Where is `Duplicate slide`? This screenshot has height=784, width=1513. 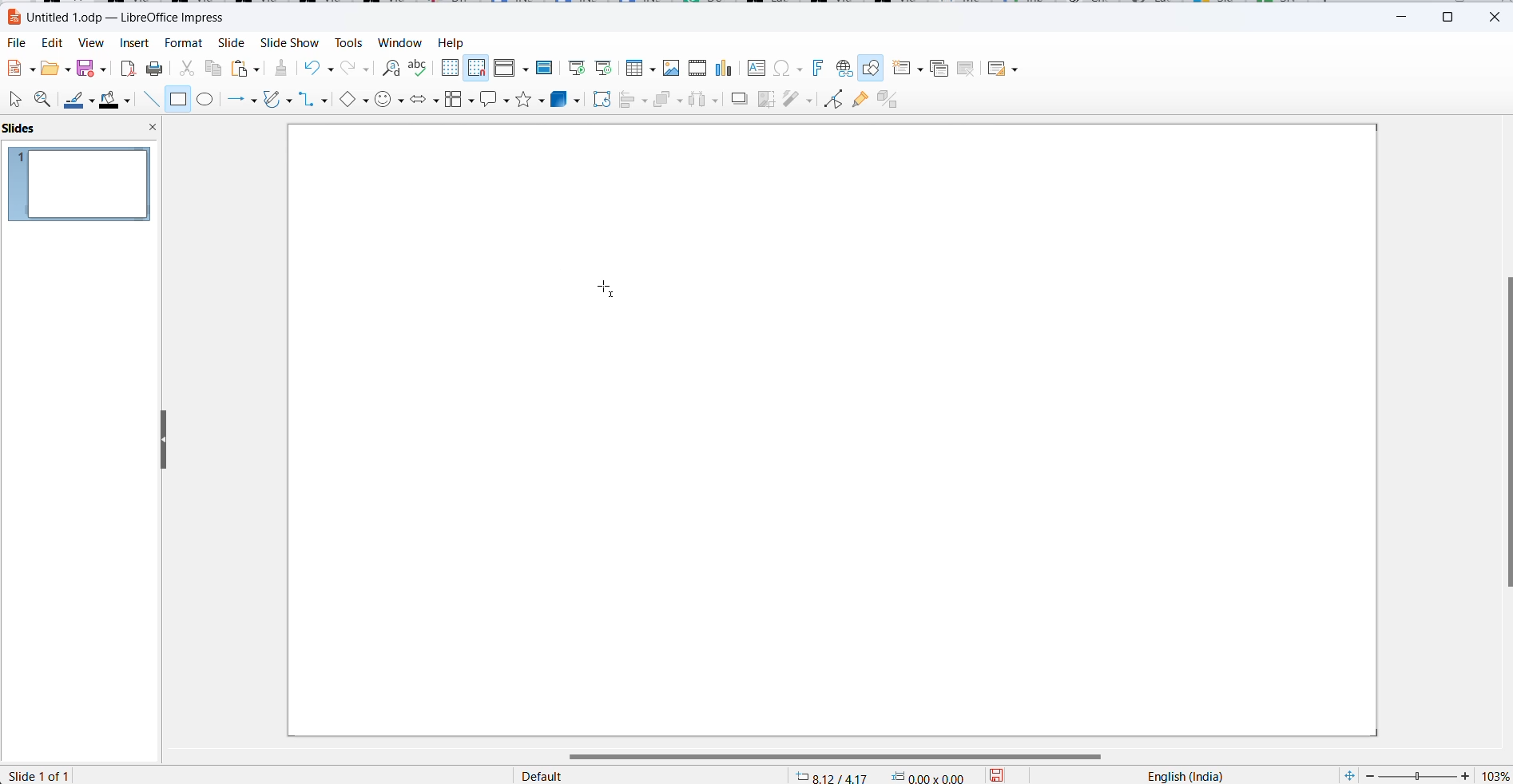 Duplicate slide is located at coordinates (939, 69).